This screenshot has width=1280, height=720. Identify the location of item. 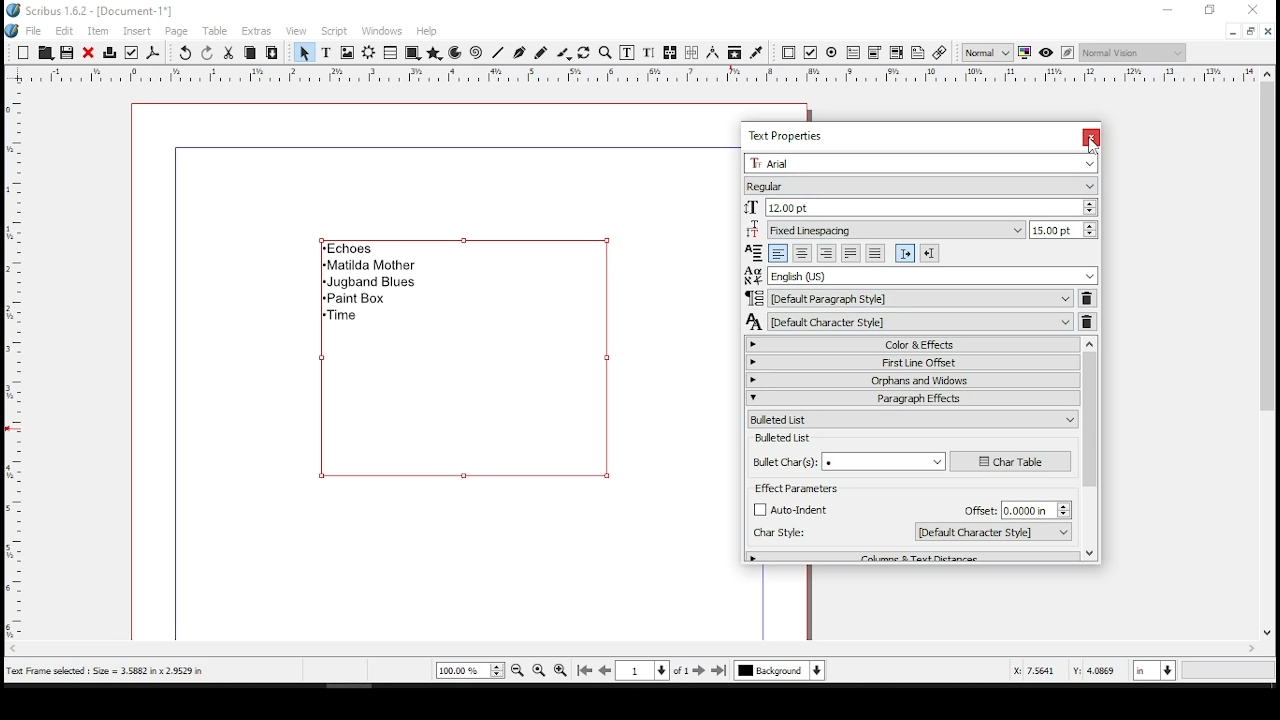
(97, 31).